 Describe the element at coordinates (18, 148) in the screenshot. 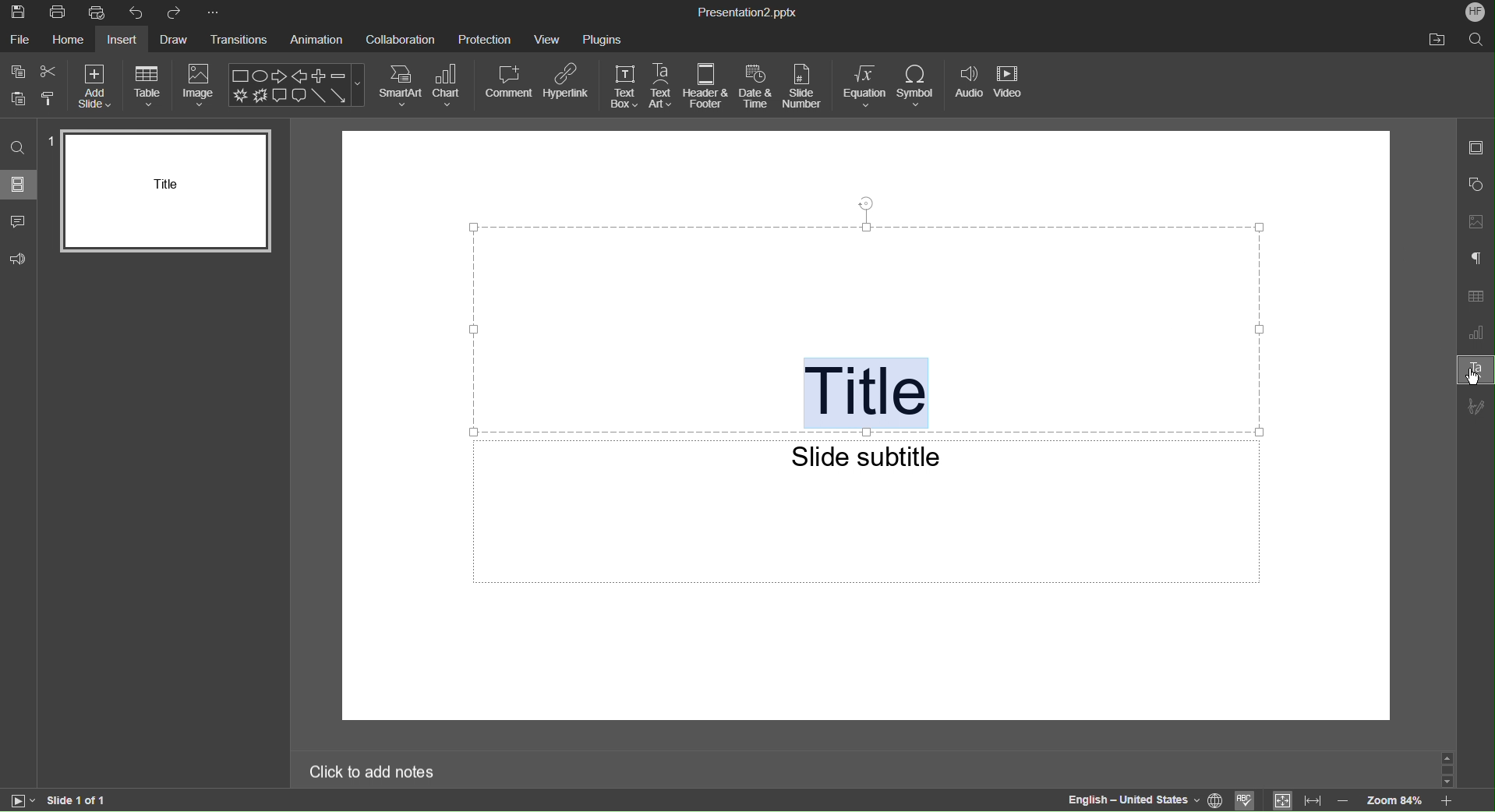

I see `Search` at that location.